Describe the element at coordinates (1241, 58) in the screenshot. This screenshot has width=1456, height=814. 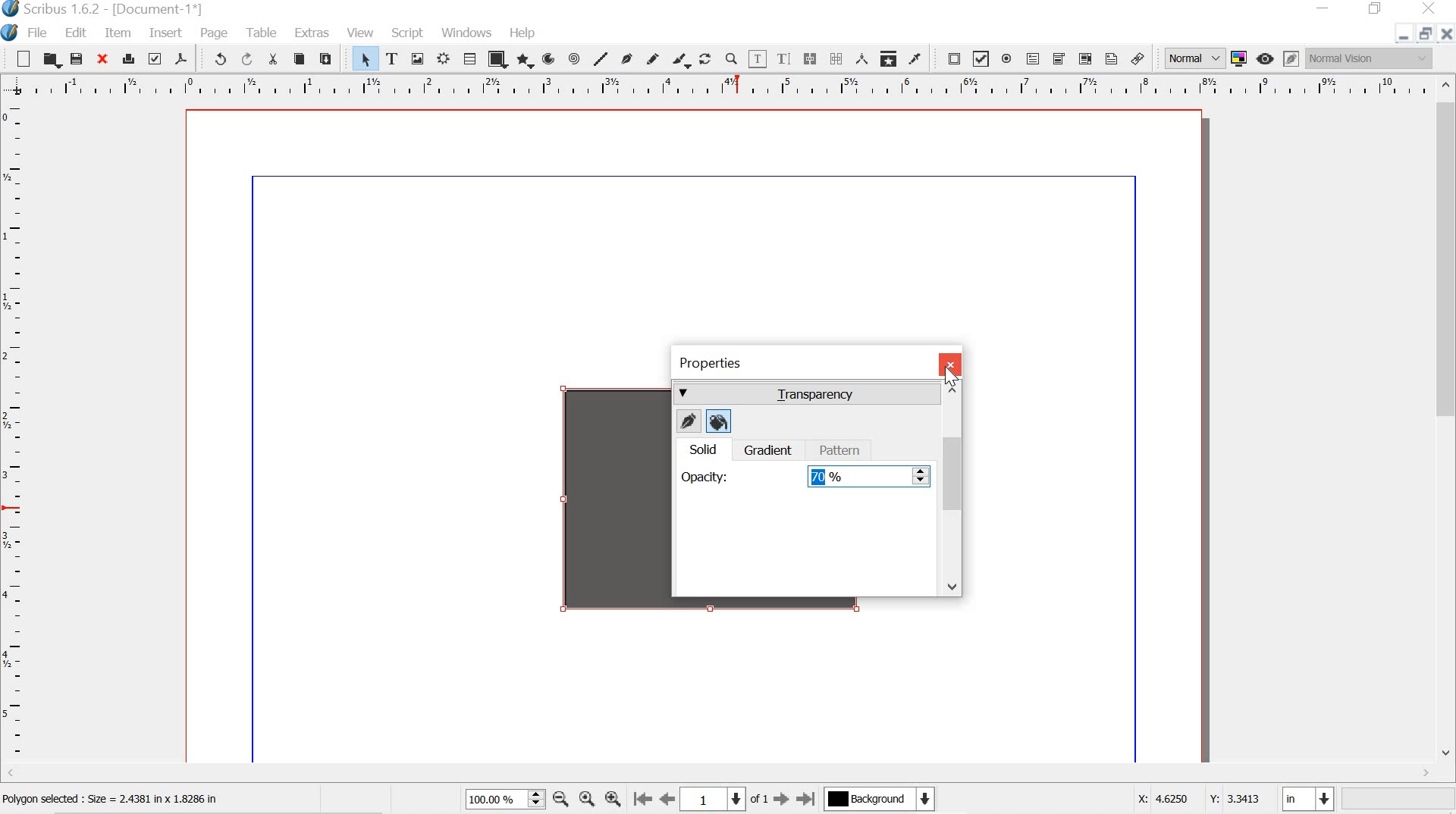
I see `toggle color management system` at that location.